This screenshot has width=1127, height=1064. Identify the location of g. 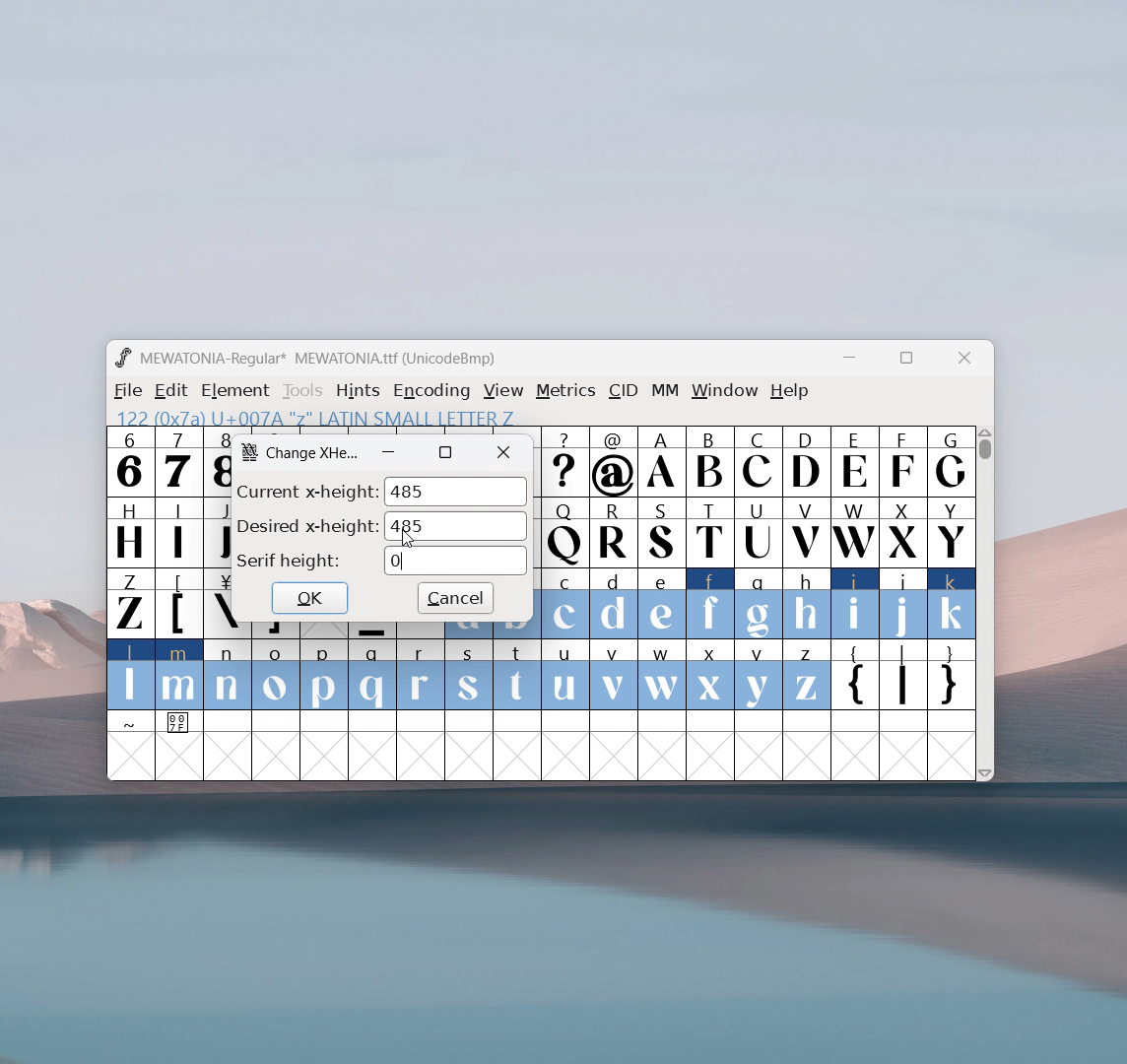
(759, 602).